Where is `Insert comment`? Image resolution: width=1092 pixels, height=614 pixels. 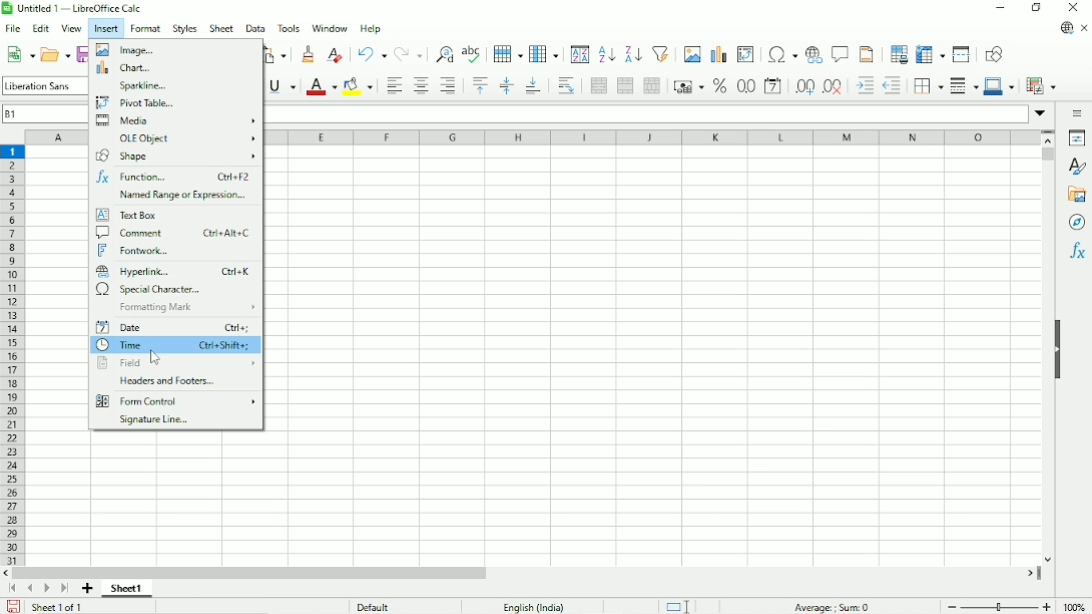 Insert comment is located at coordinates (839, 53).